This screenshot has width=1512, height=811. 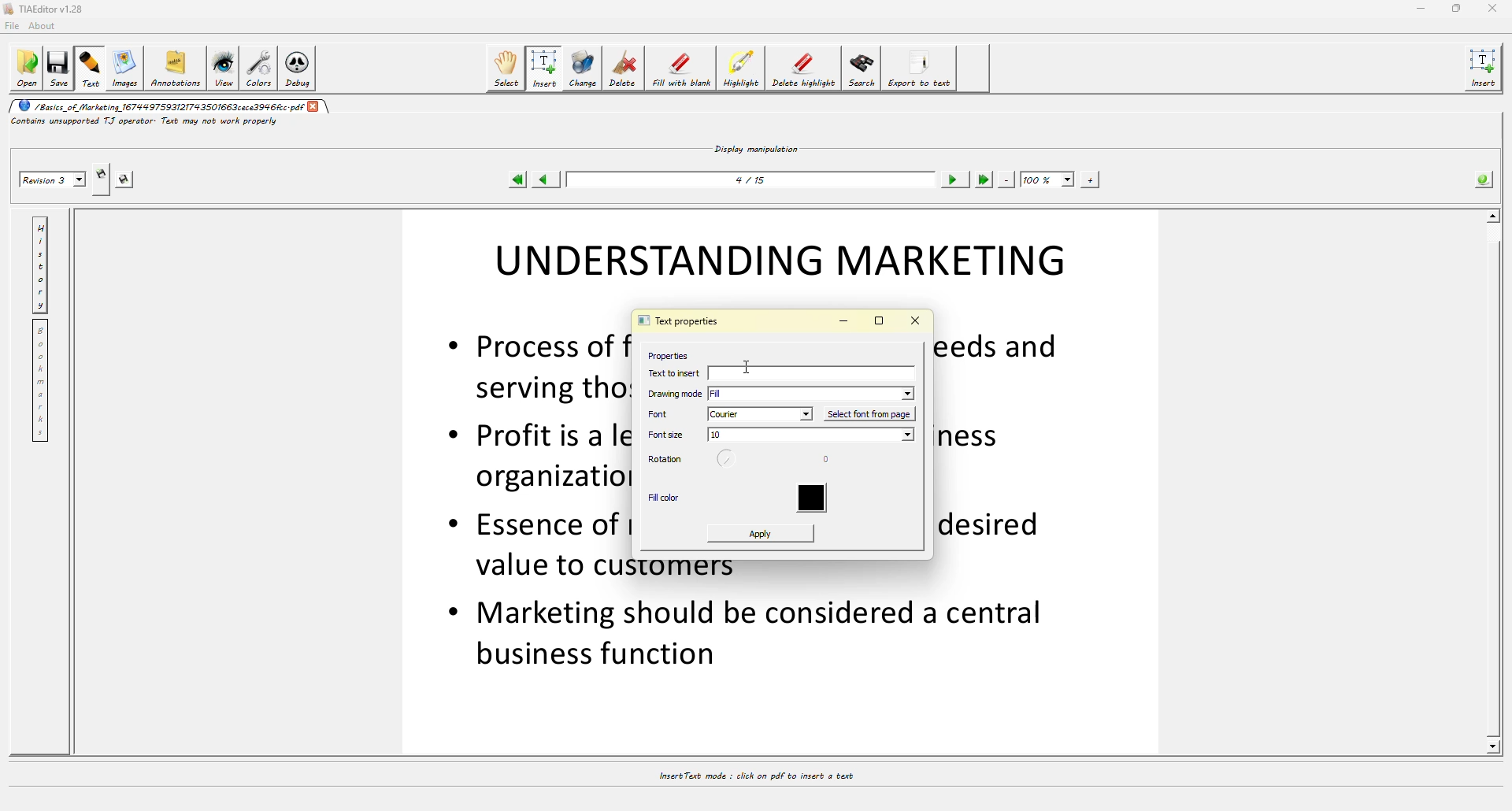 What do you see at coordinates (91, 68) in the screenshot?
I see `text` at bounding box center [91, 68].